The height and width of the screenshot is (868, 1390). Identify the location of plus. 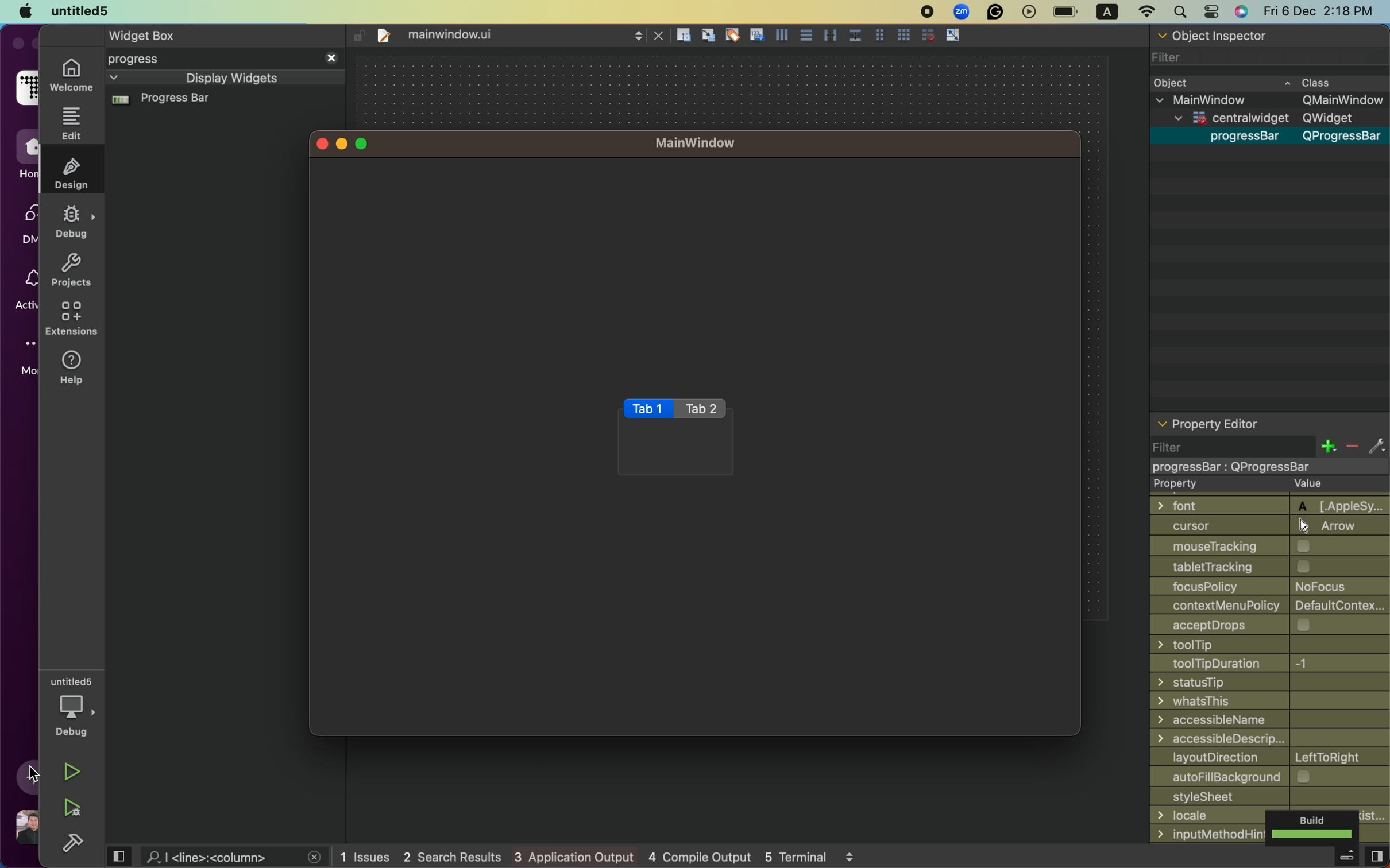
(1326, 447).